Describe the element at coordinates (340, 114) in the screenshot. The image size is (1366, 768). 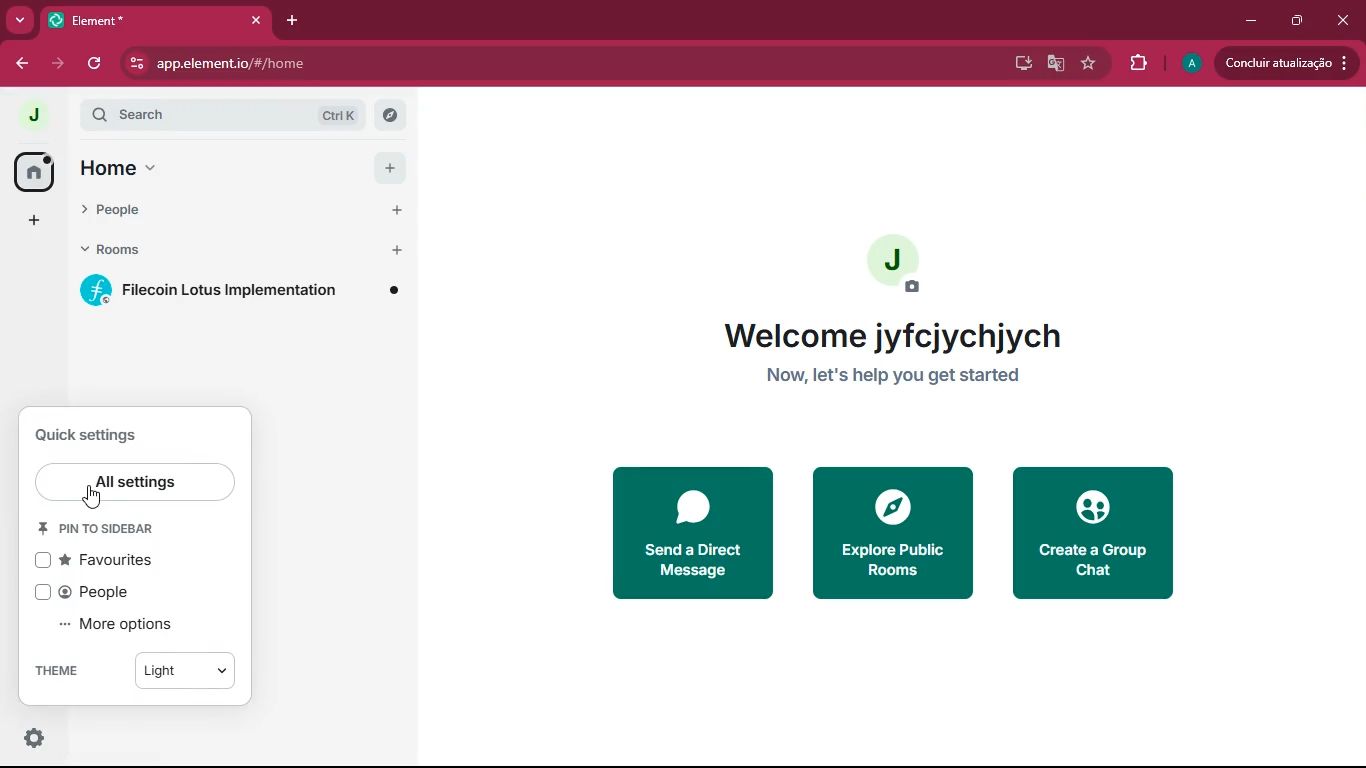
I see `ctrl K` at that location.